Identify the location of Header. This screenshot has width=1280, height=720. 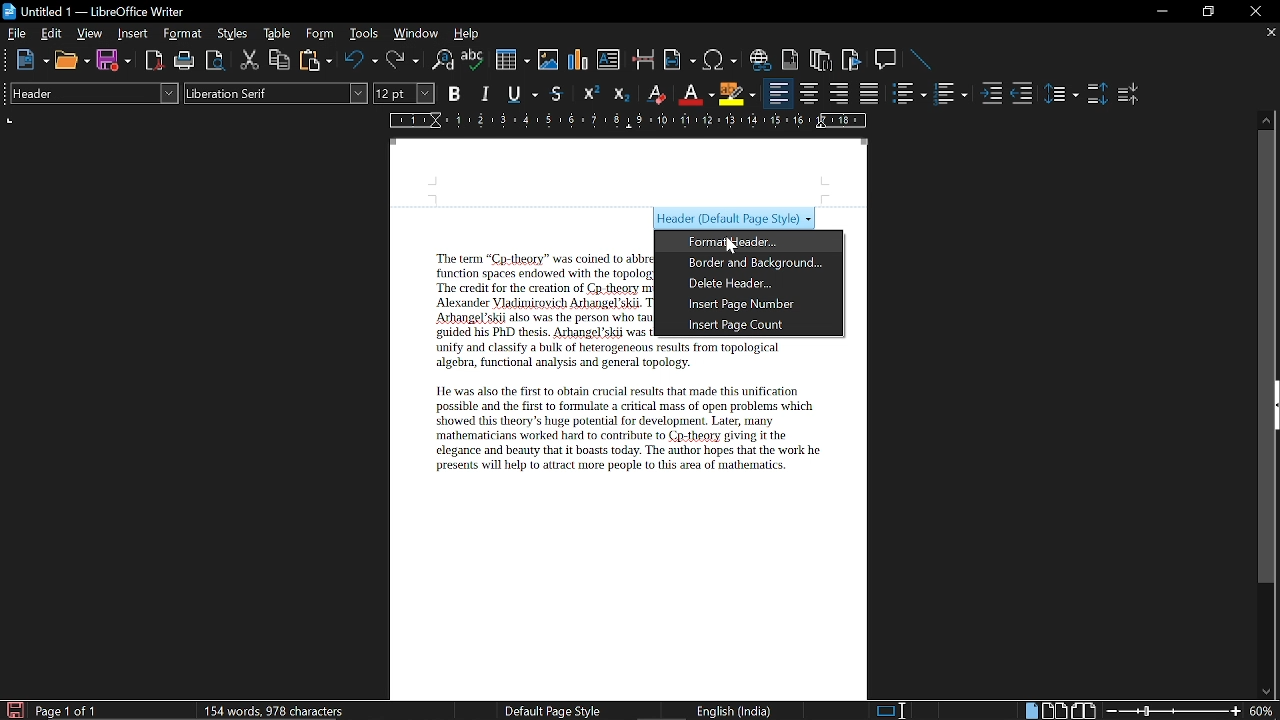
(629, 173).